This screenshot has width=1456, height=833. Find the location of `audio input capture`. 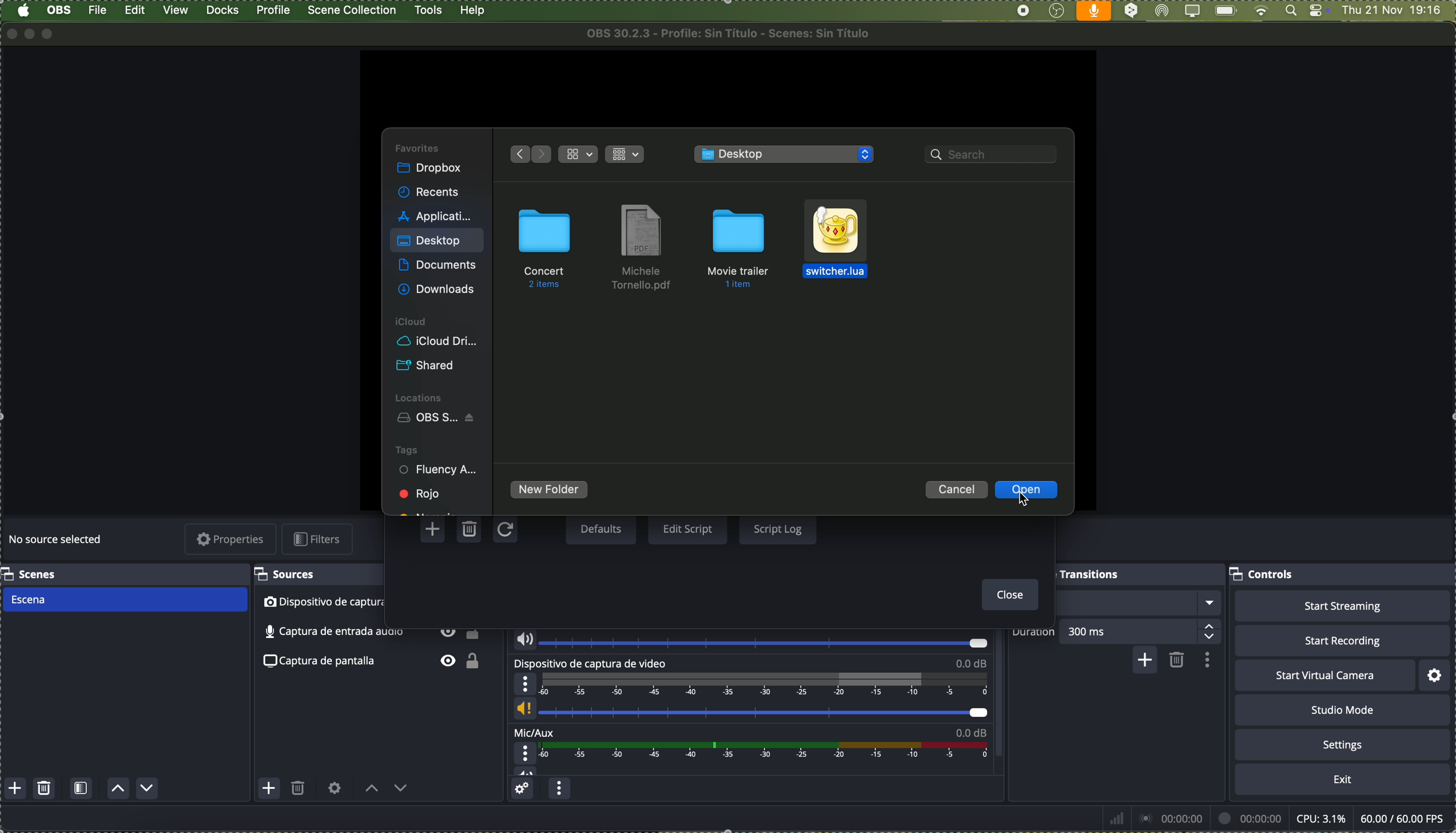

audio input capture is located at coordinates (748, 639).